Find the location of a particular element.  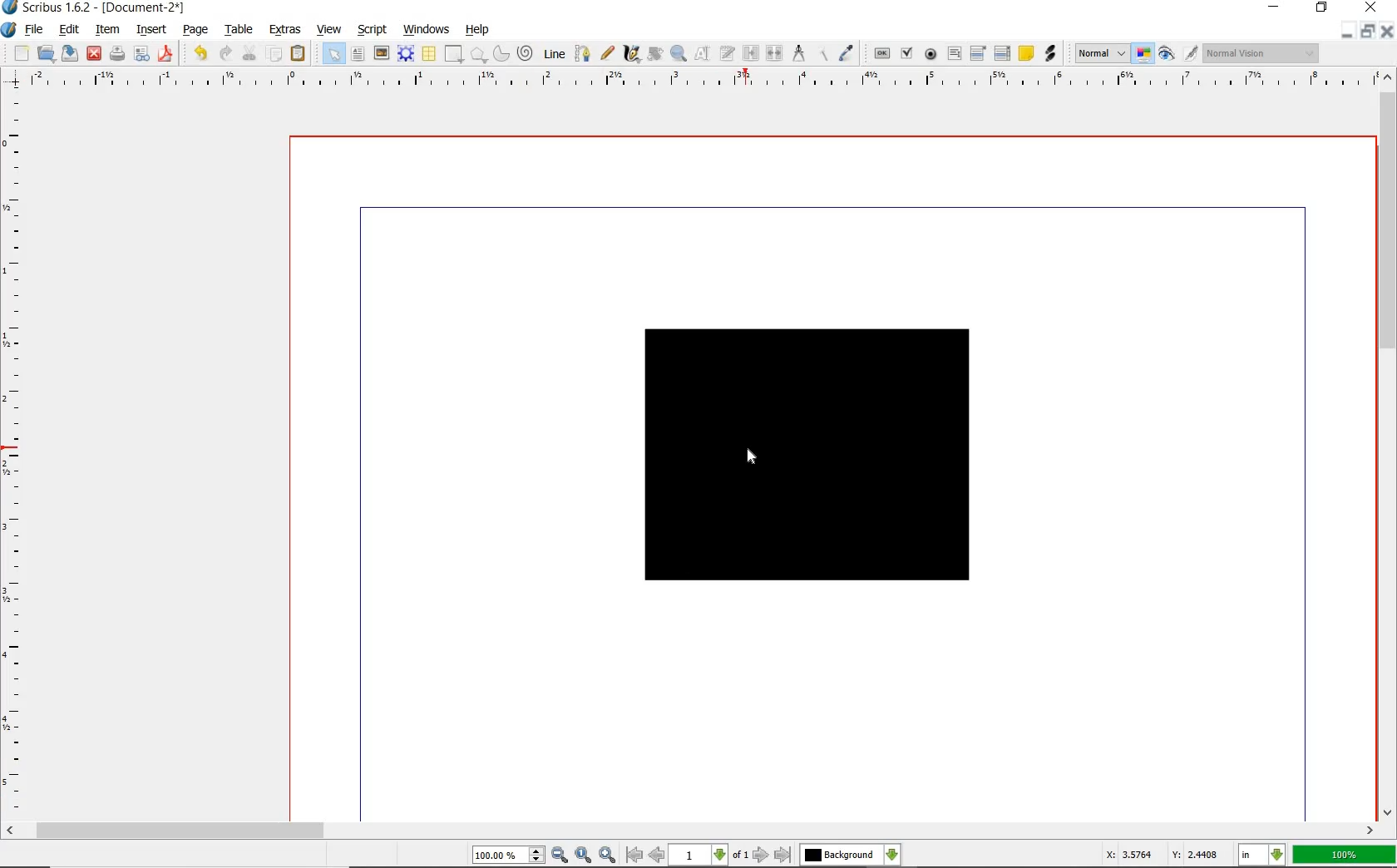

unlink text frames is located at coordinates (775, 55).